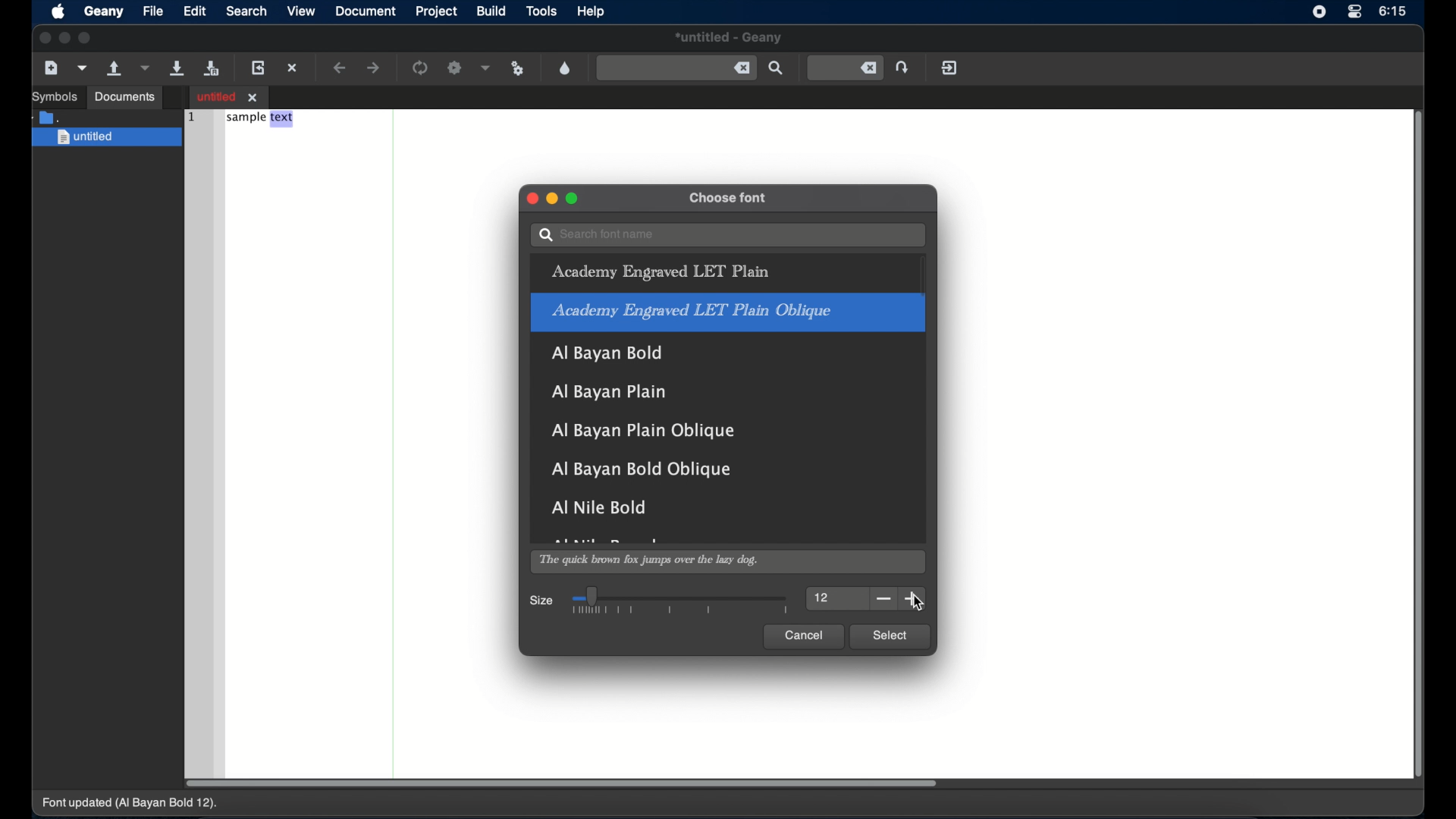 The image size is (1456, 819). I want to click on navigate backward a location, so click(340, 68).